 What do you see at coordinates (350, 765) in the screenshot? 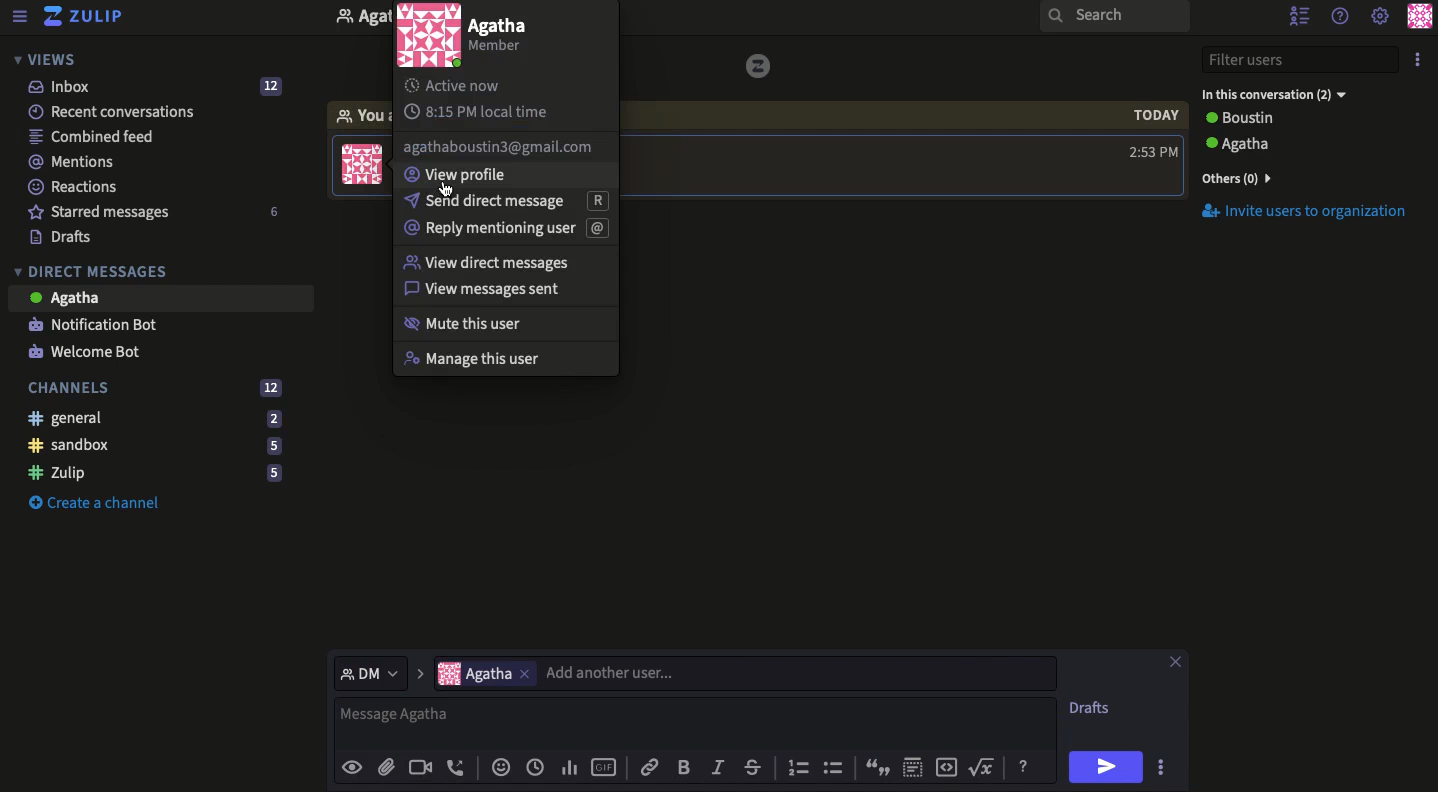
I see `Preview` at bounding box center [350, 765].